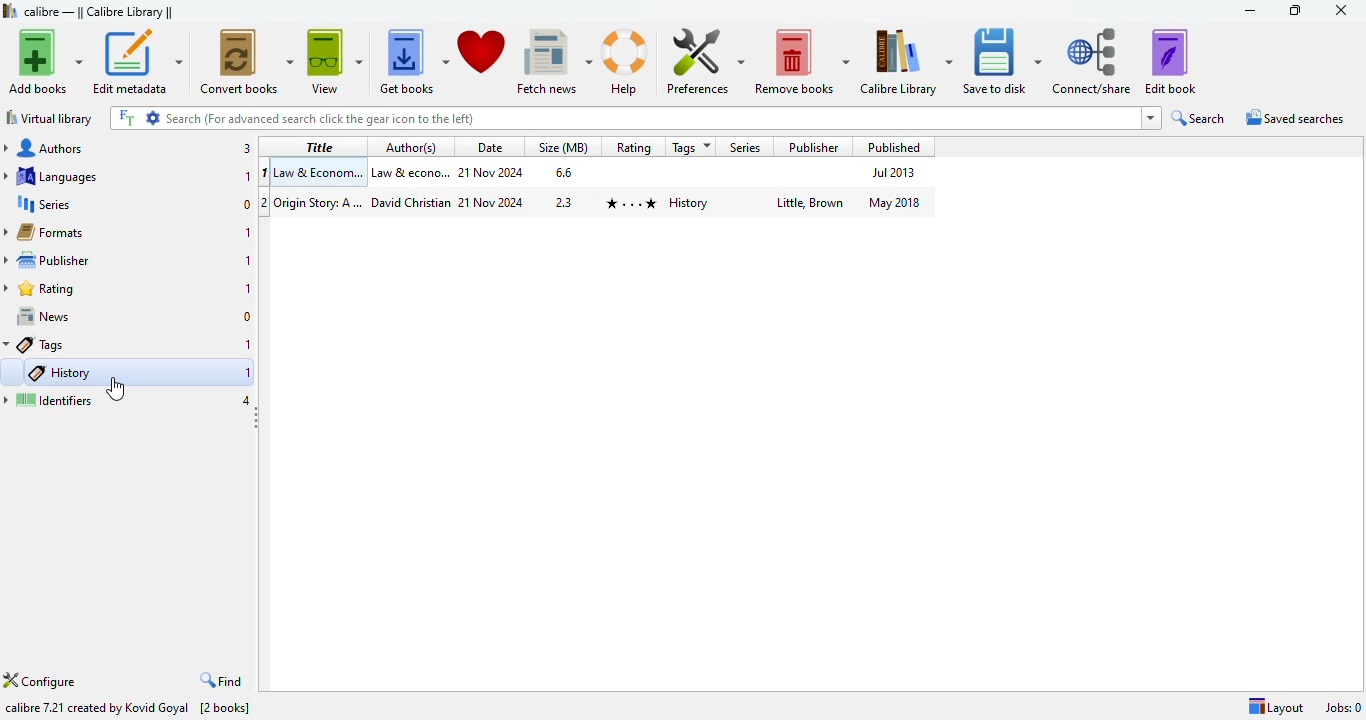 The image size is (1366, 720). I want to click on news, so click(43, 315).